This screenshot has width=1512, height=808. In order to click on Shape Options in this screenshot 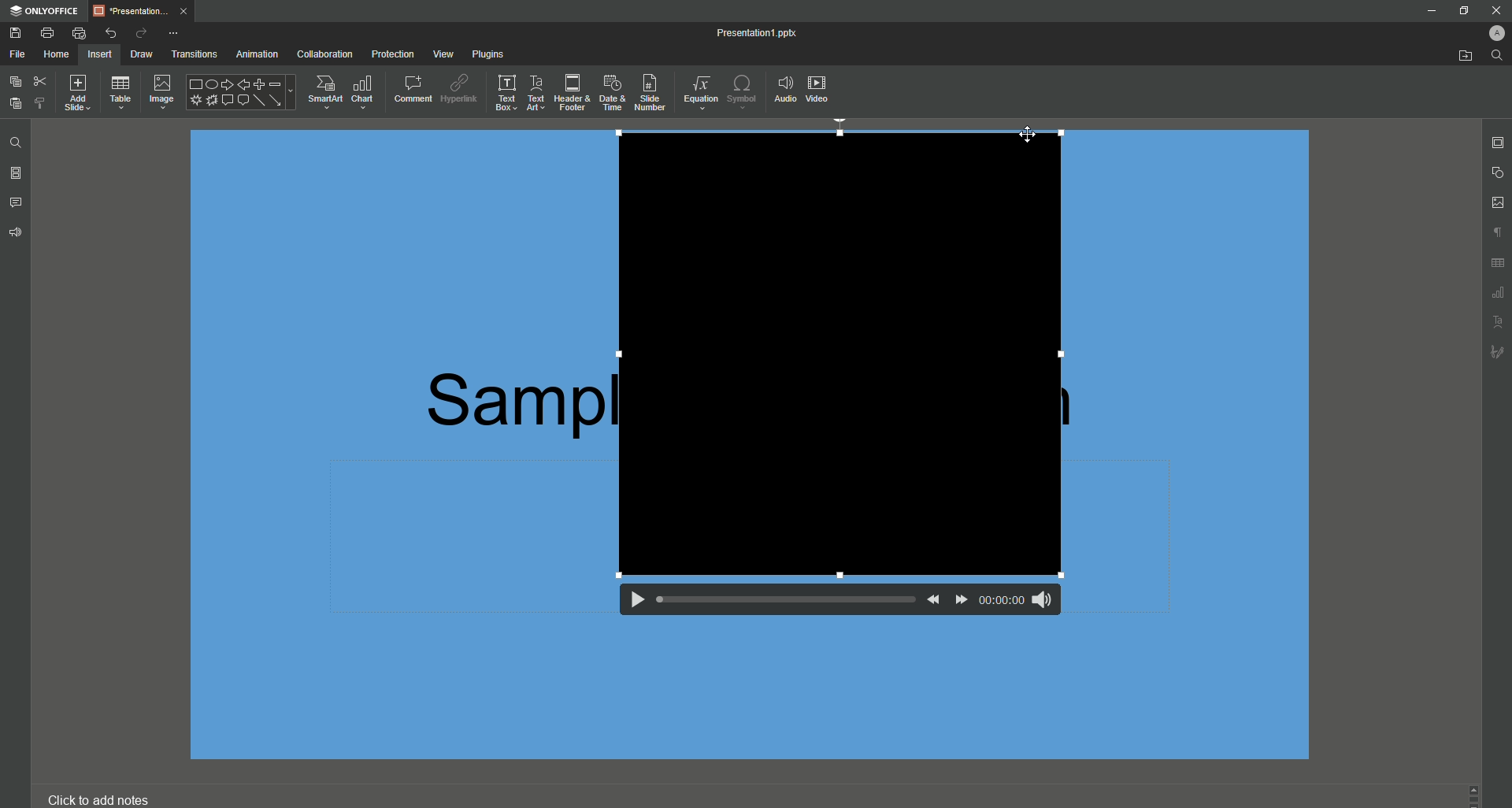, I will do `click(240, 93)`.